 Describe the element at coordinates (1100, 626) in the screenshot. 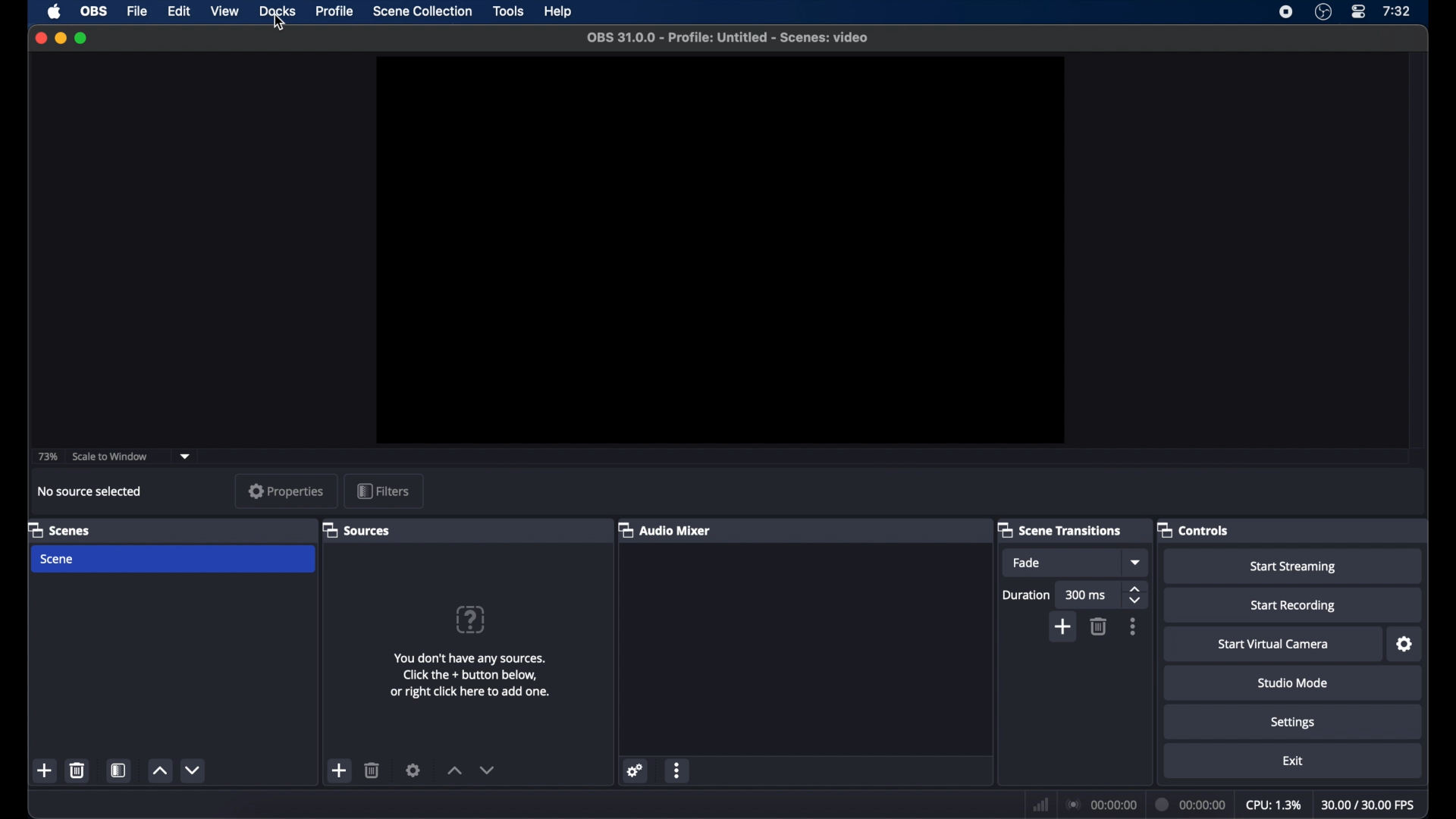

I see `delete` at that location.